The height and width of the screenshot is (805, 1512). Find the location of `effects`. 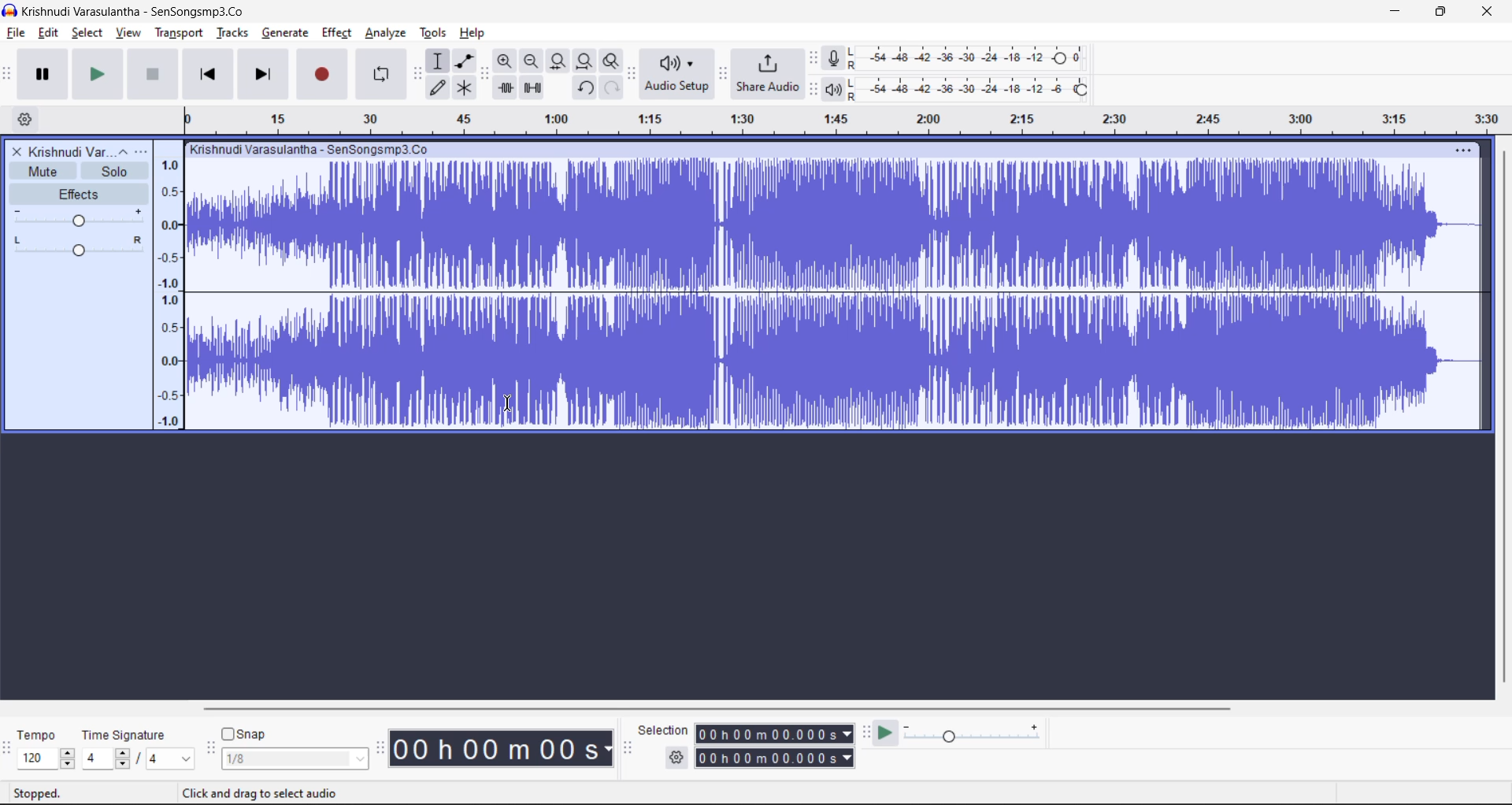

effects is located at coordinates (79, 193).